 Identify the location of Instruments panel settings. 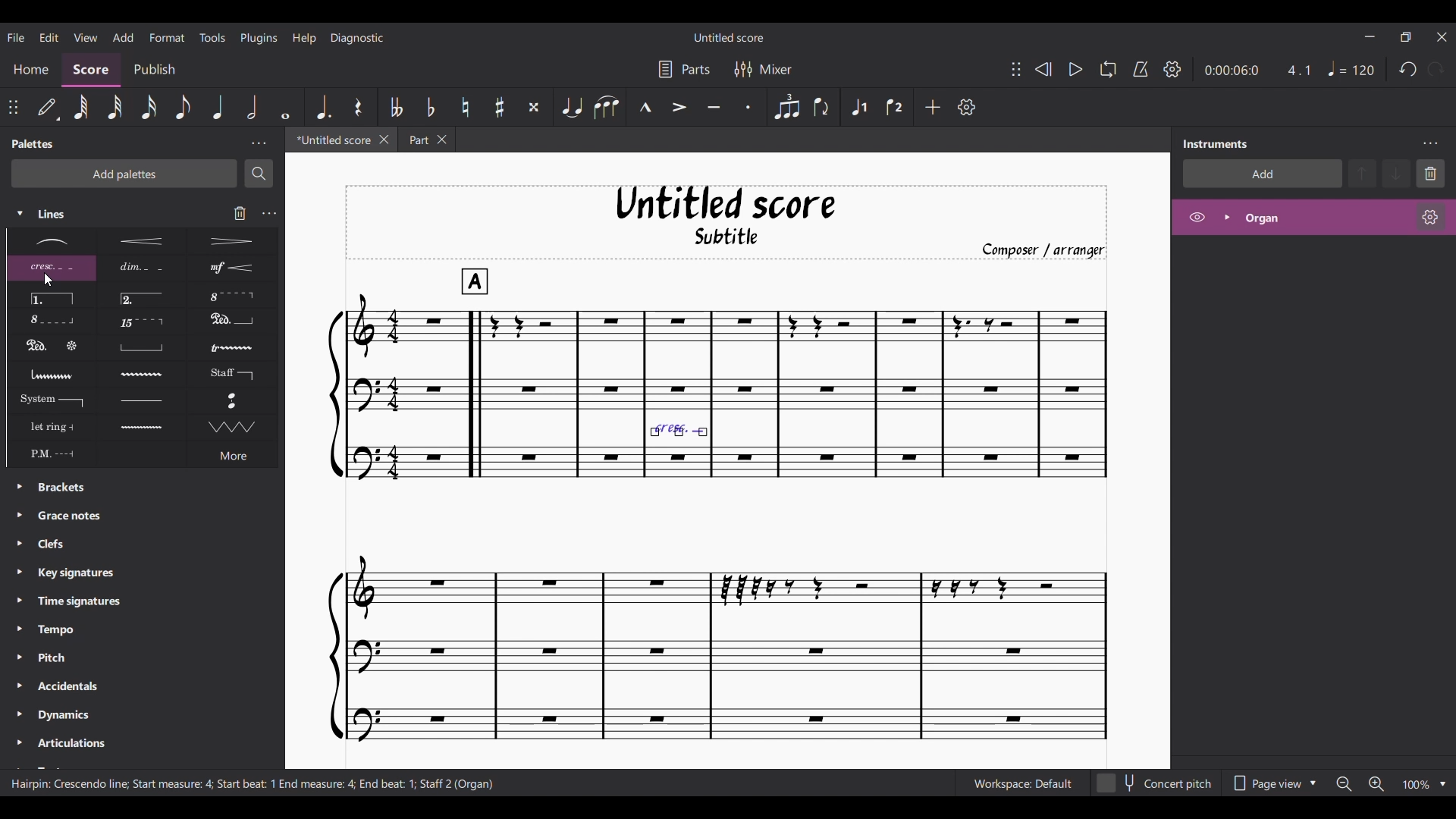
(1430, 143).